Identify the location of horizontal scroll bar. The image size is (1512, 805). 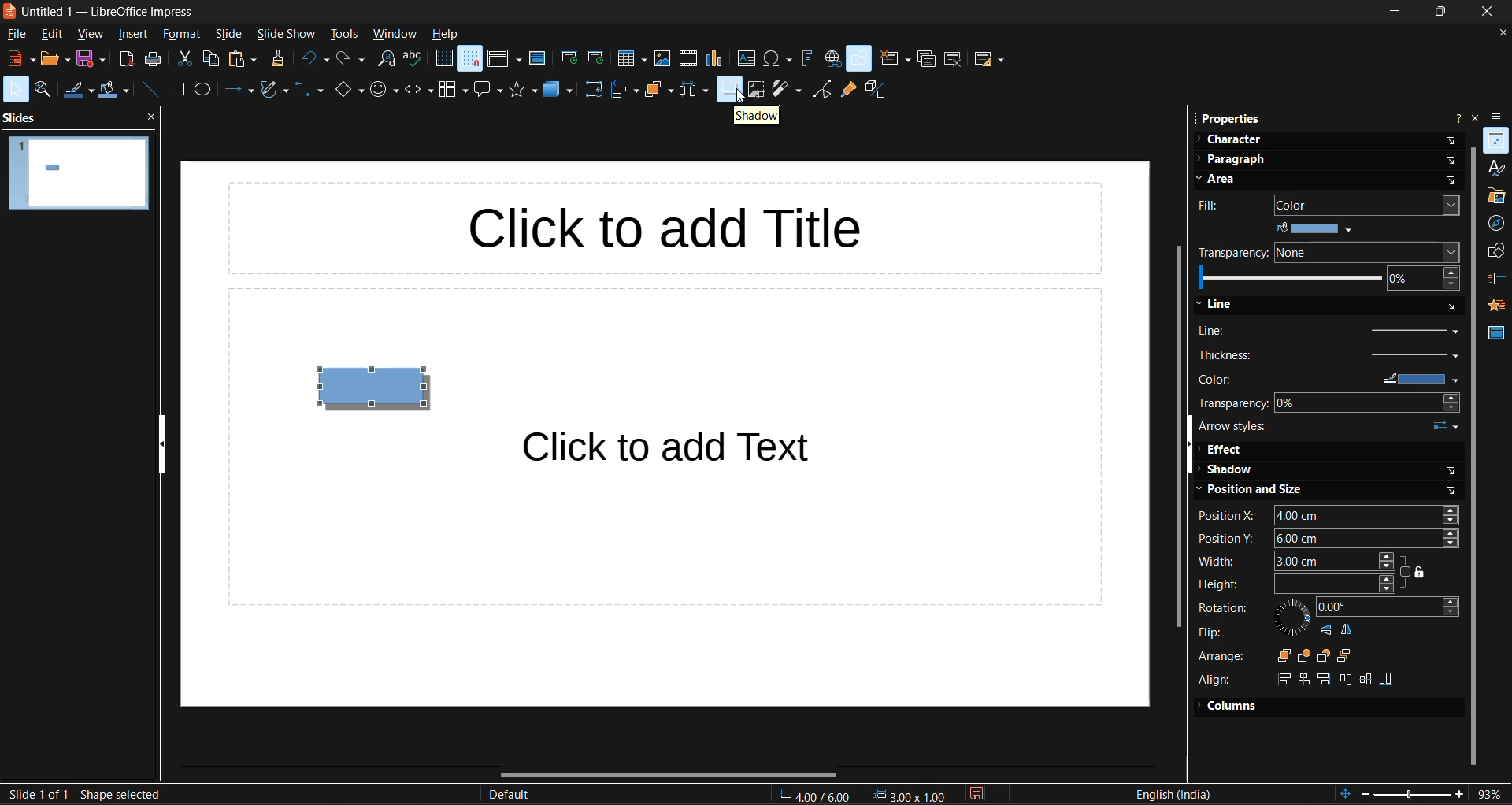
(669, 773).